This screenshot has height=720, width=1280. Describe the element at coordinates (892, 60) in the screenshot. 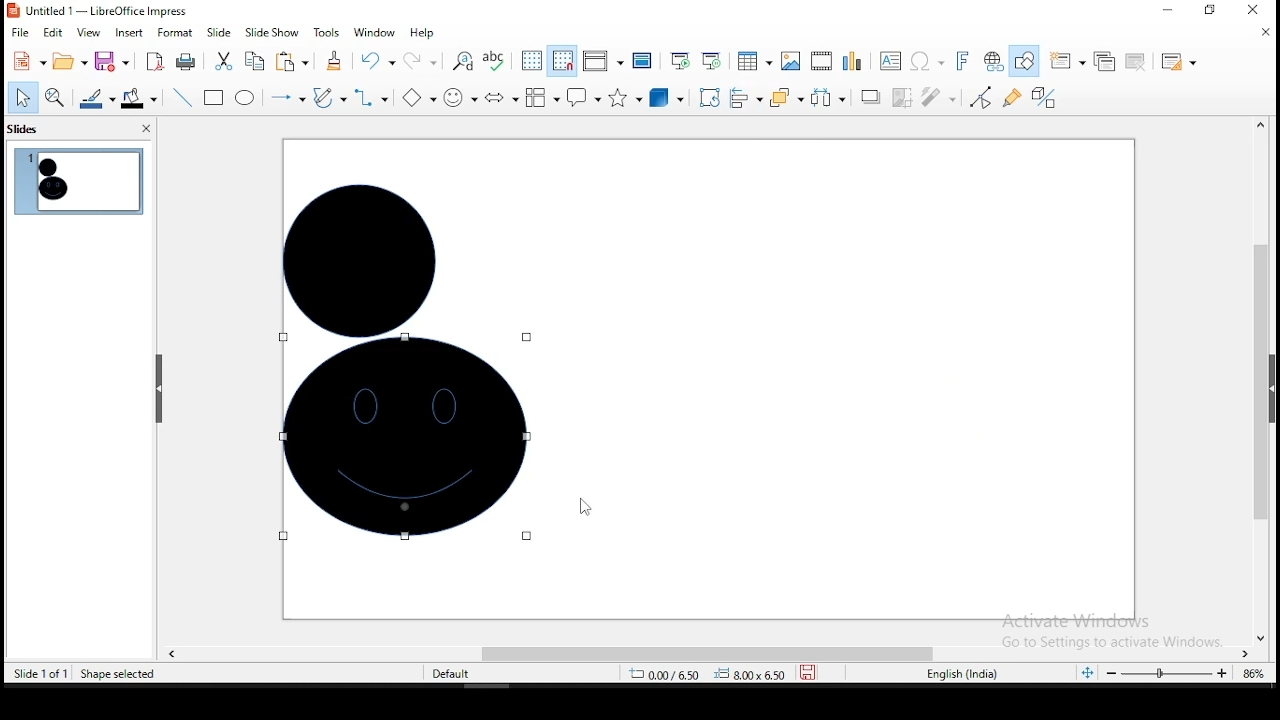

I see `text box` at that location.